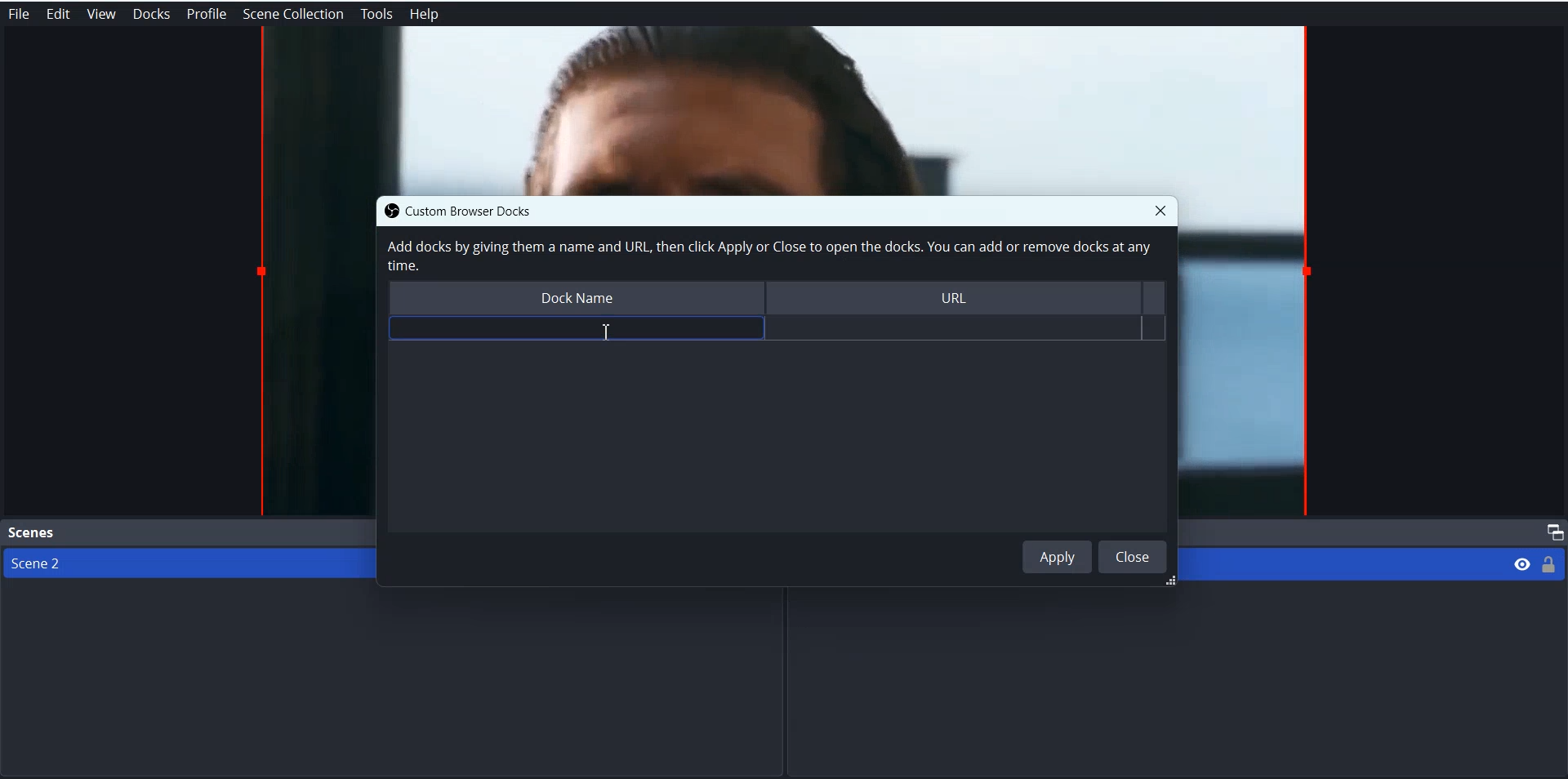 The width and height of the screenshot is (1568, 779). I want to click on View, so click(100, 14).